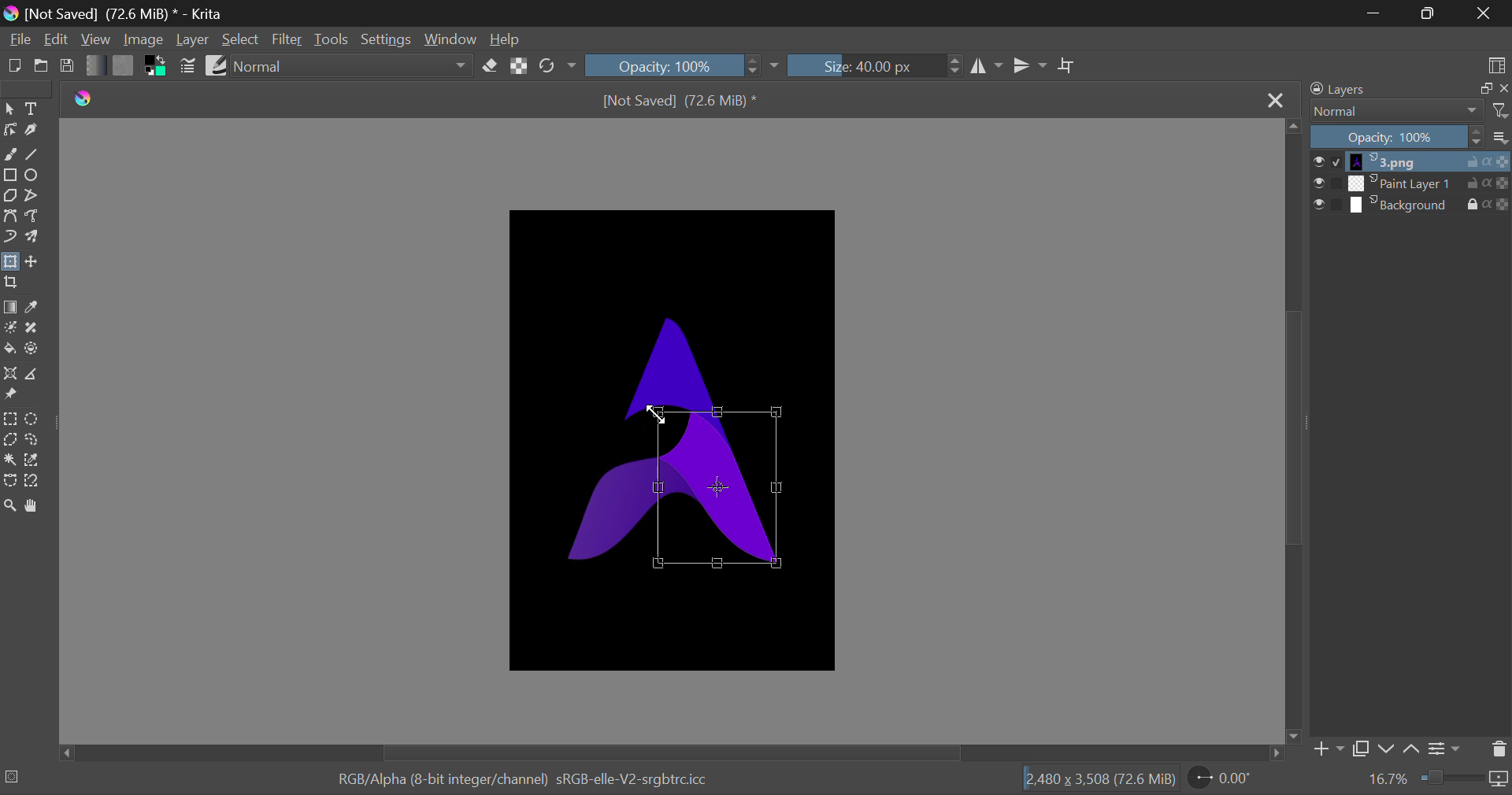 Image resolution: width=1512 pixels, height=795 pixels. What do you see at coordinates (1388, 749) in the screenshot?
I see `down Movement of Layer` at bounding box center [1388, 749].